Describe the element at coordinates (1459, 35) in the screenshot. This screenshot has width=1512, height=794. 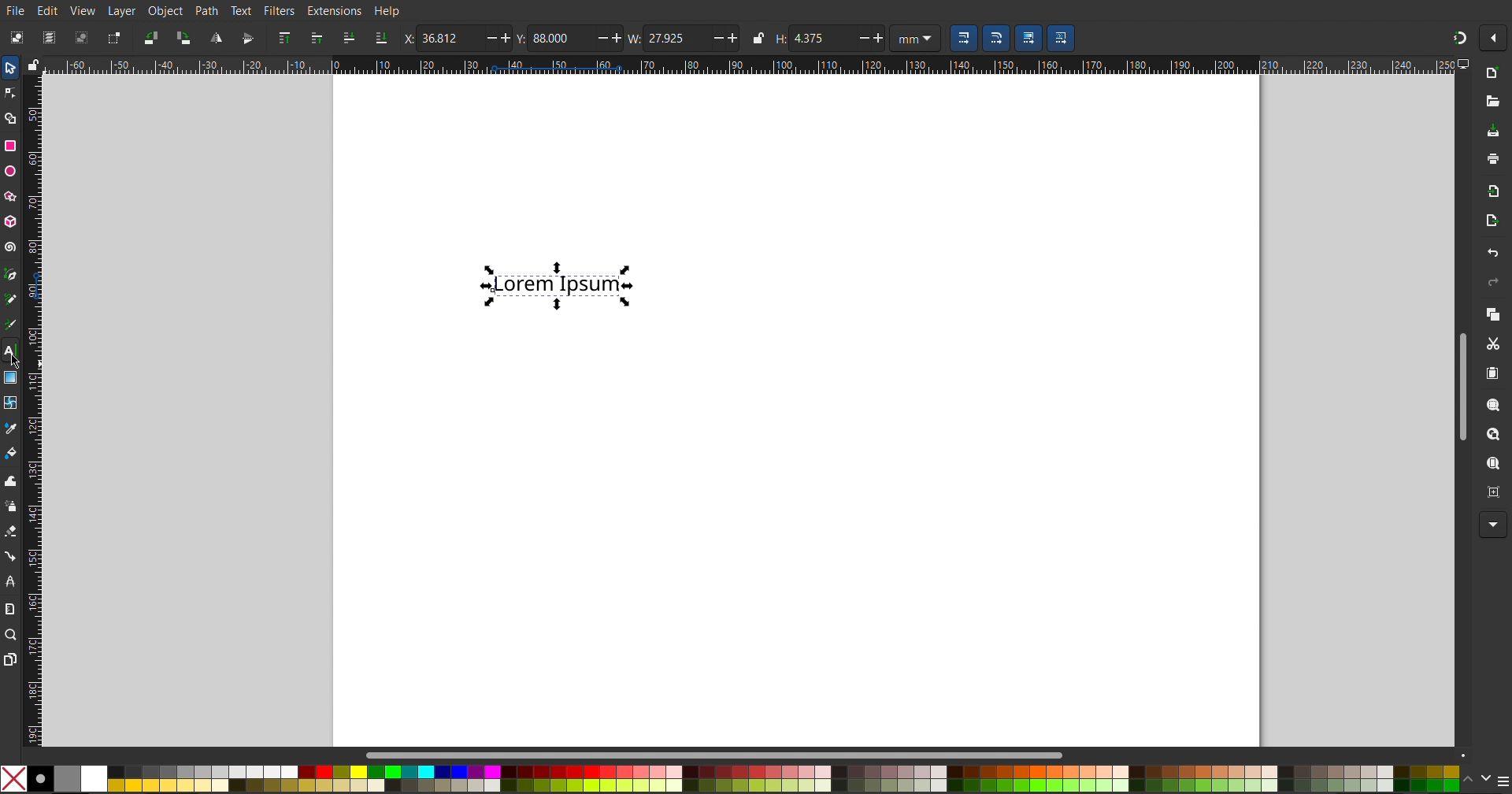
I see `Snapping` at that location.